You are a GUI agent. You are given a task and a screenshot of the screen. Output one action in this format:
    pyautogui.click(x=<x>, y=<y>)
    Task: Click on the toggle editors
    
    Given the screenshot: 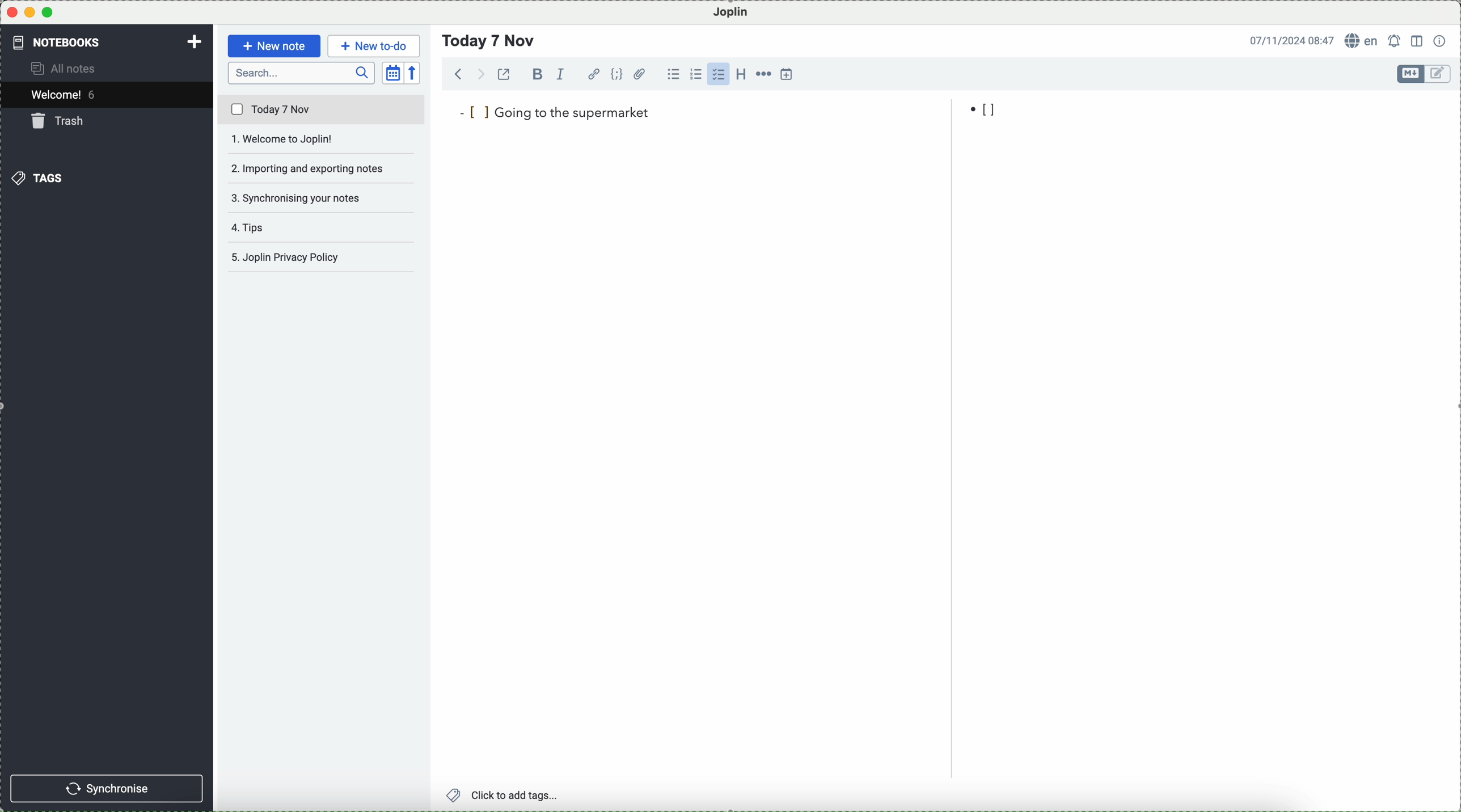 What is the action you would take?
    pyautogui.click(x=1439, y=74)
    